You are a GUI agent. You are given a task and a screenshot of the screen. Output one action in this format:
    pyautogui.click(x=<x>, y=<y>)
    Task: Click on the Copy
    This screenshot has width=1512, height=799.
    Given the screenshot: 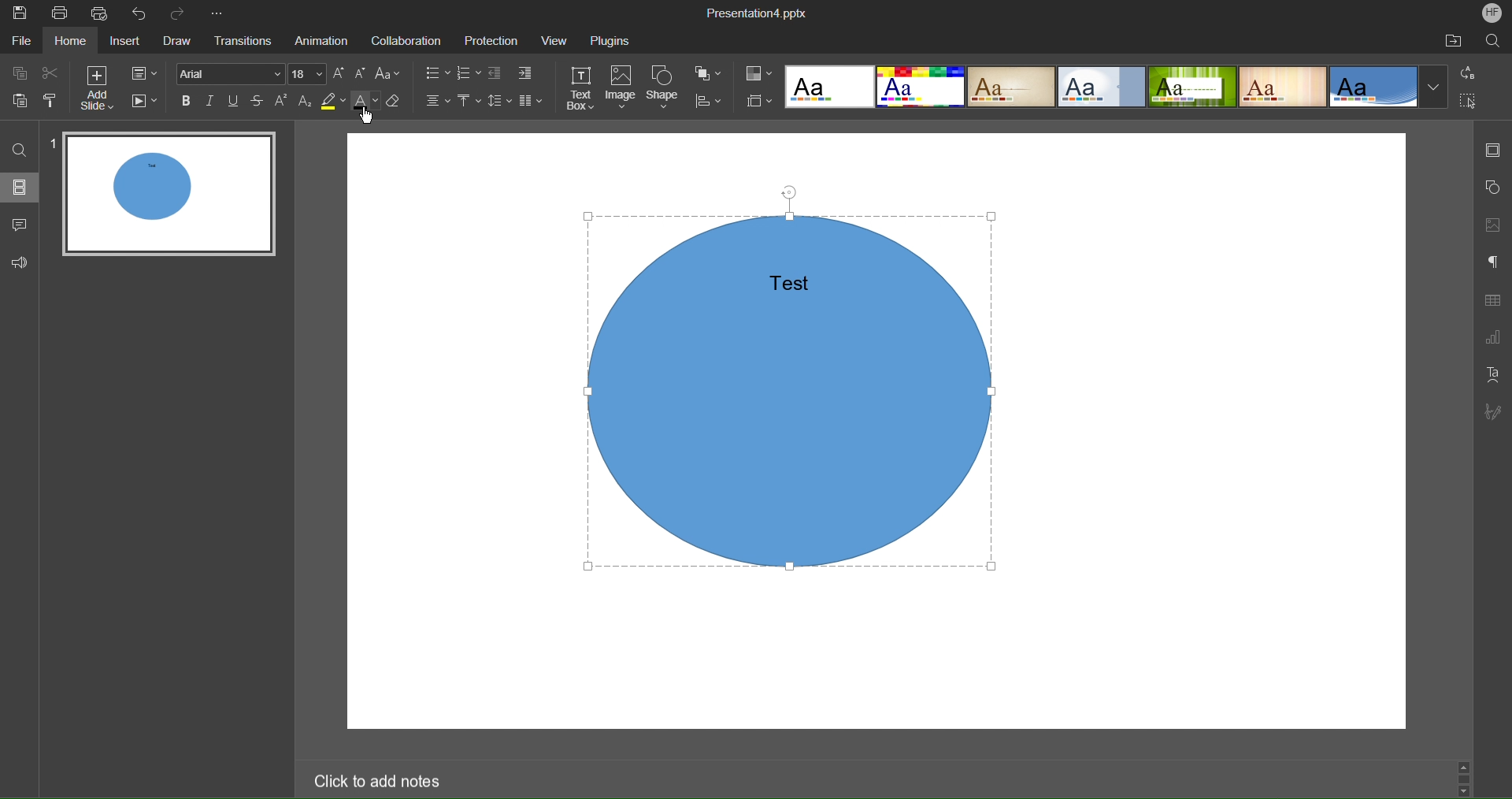 What is the action you would take?
    pyautogui.click(x=19, y=76)
    